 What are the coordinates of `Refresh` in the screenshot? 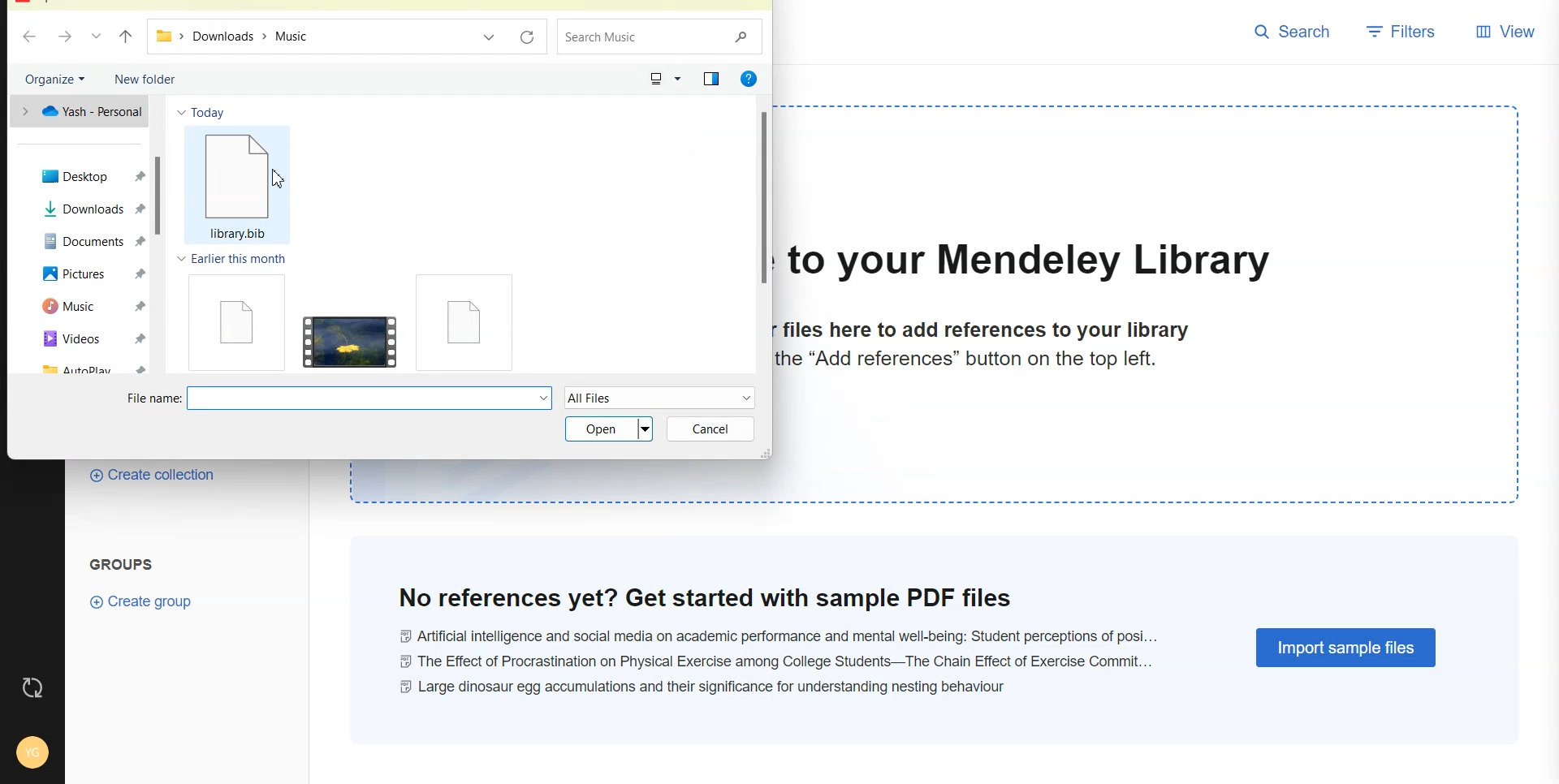 It's located at (526, 36).